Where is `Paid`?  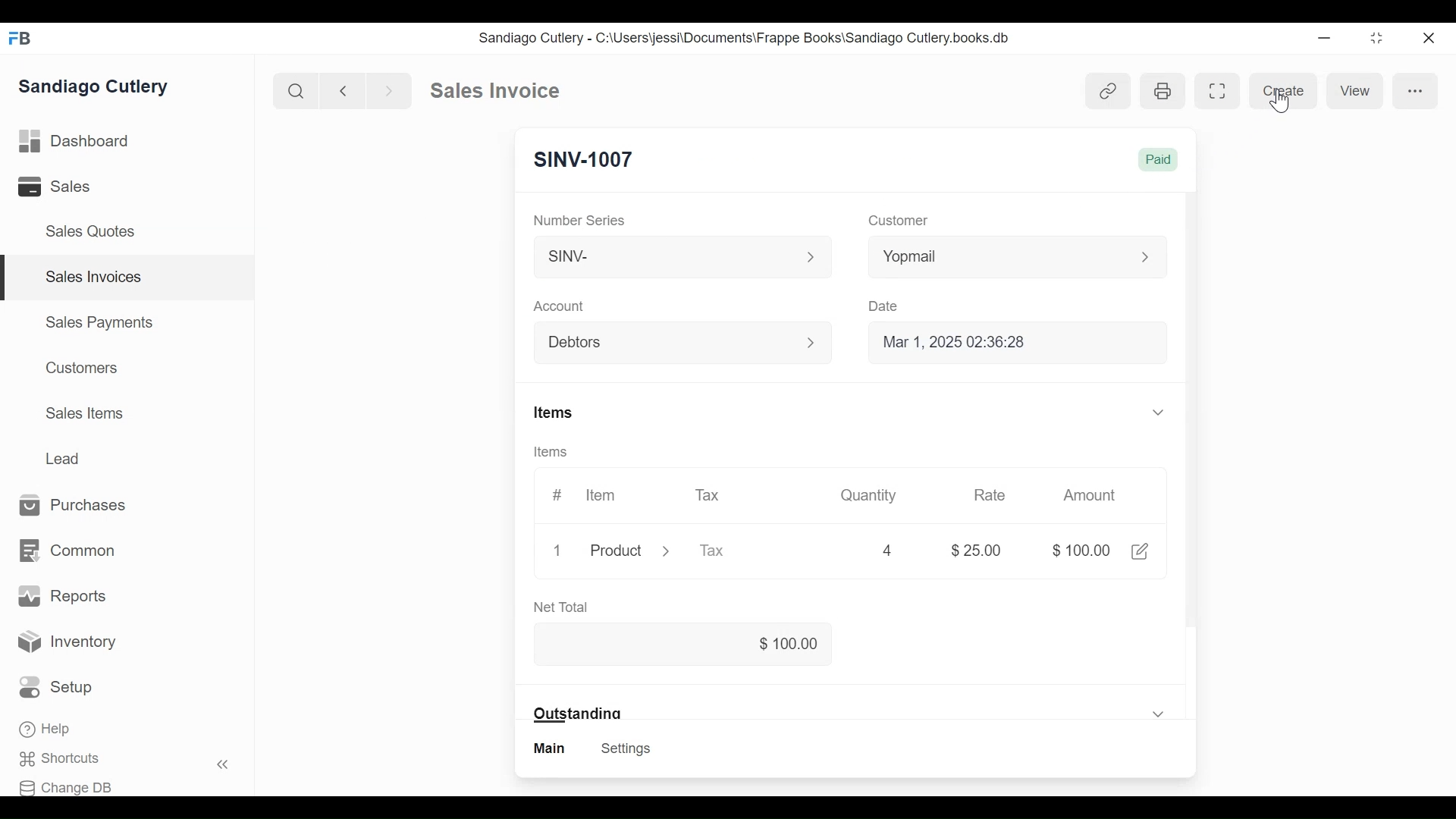
Paid is located at coordinates (1157, 159).